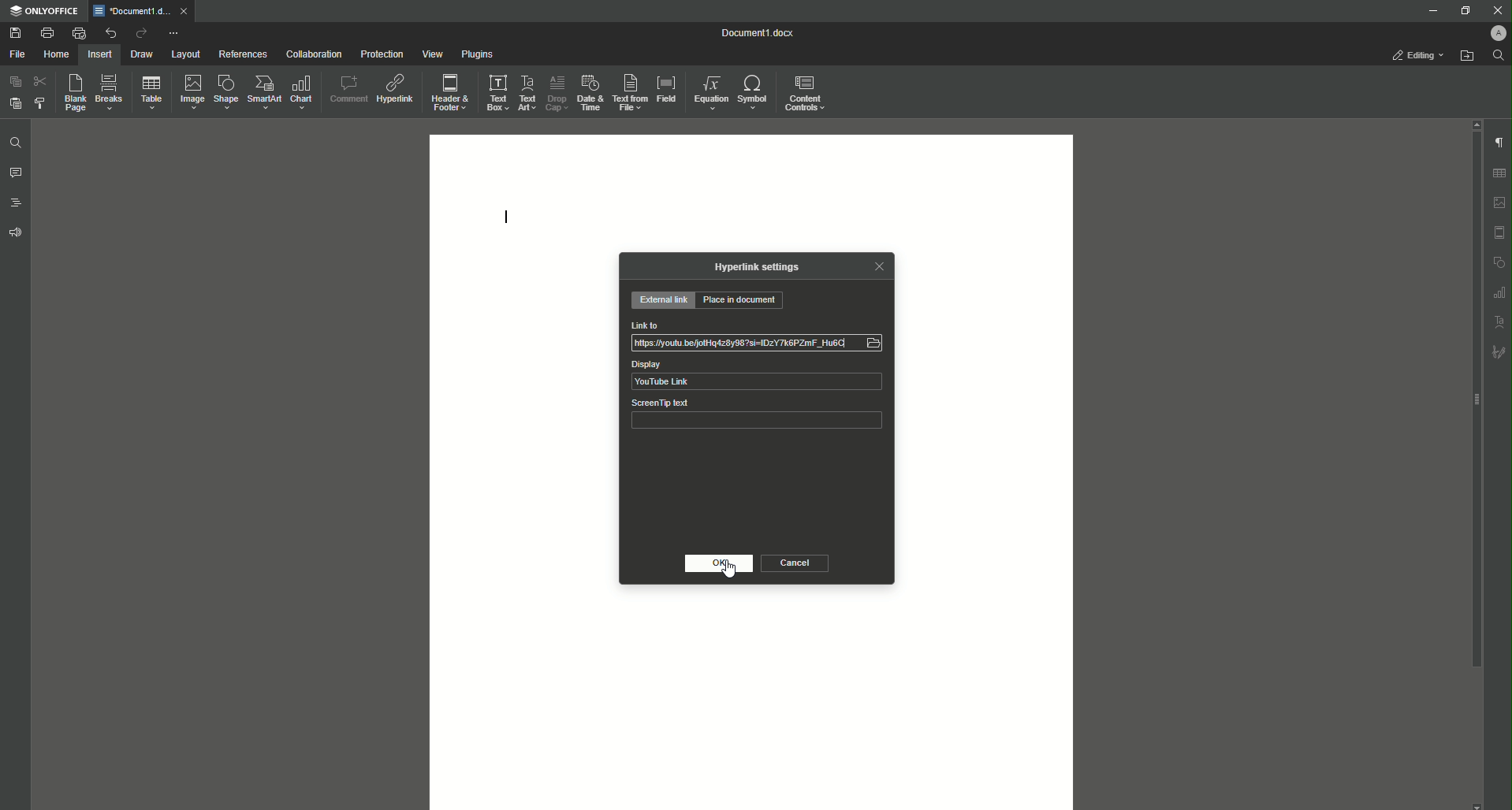 The image size is (1512, 810). What do you see at coordinates (1501, 351) in the screenshot?
I see `Signature settings` at bounding box center [1501, 351].